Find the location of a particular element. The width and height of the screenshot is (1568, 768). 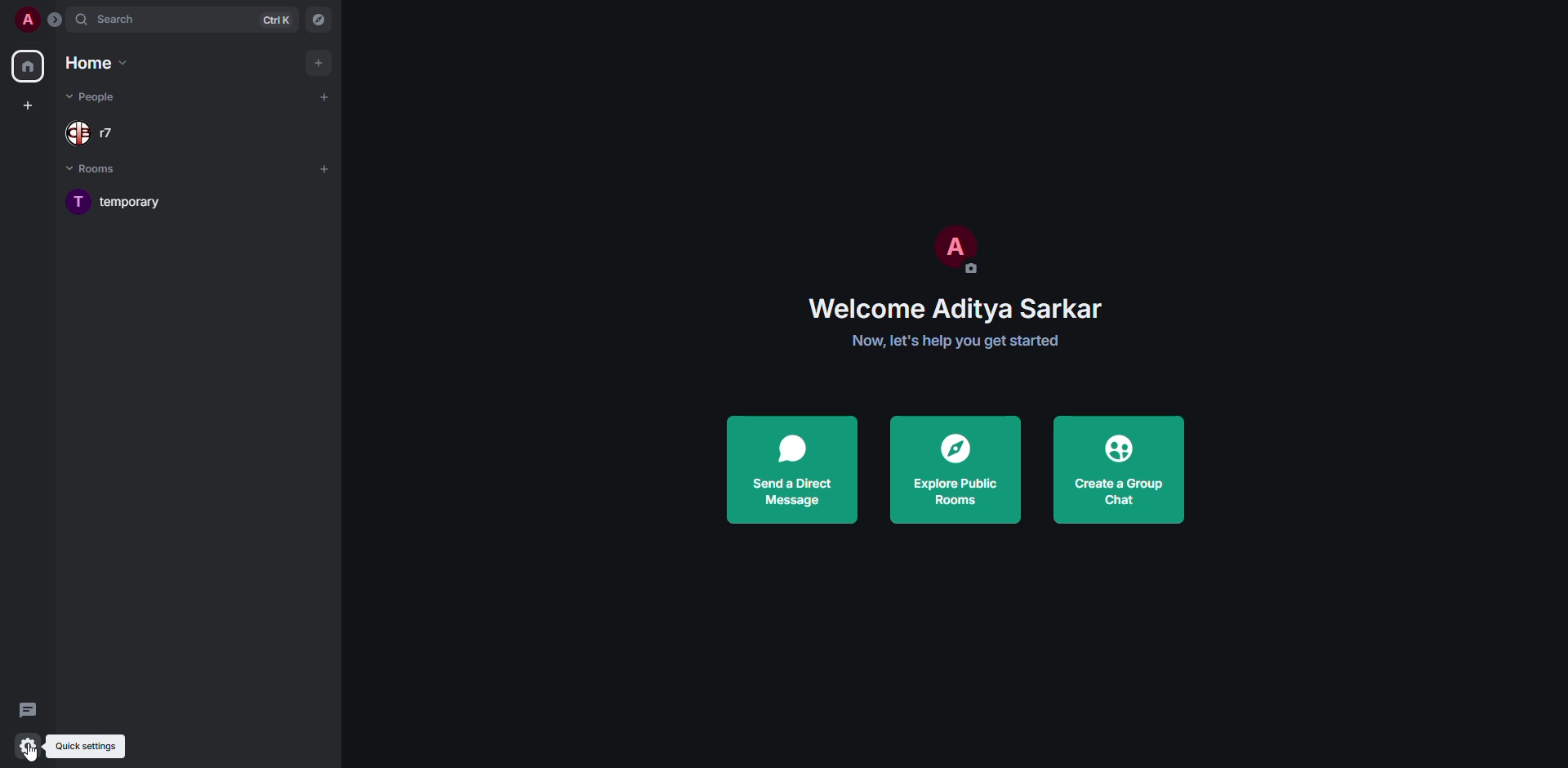

get started is located at coordinates (963, 342).